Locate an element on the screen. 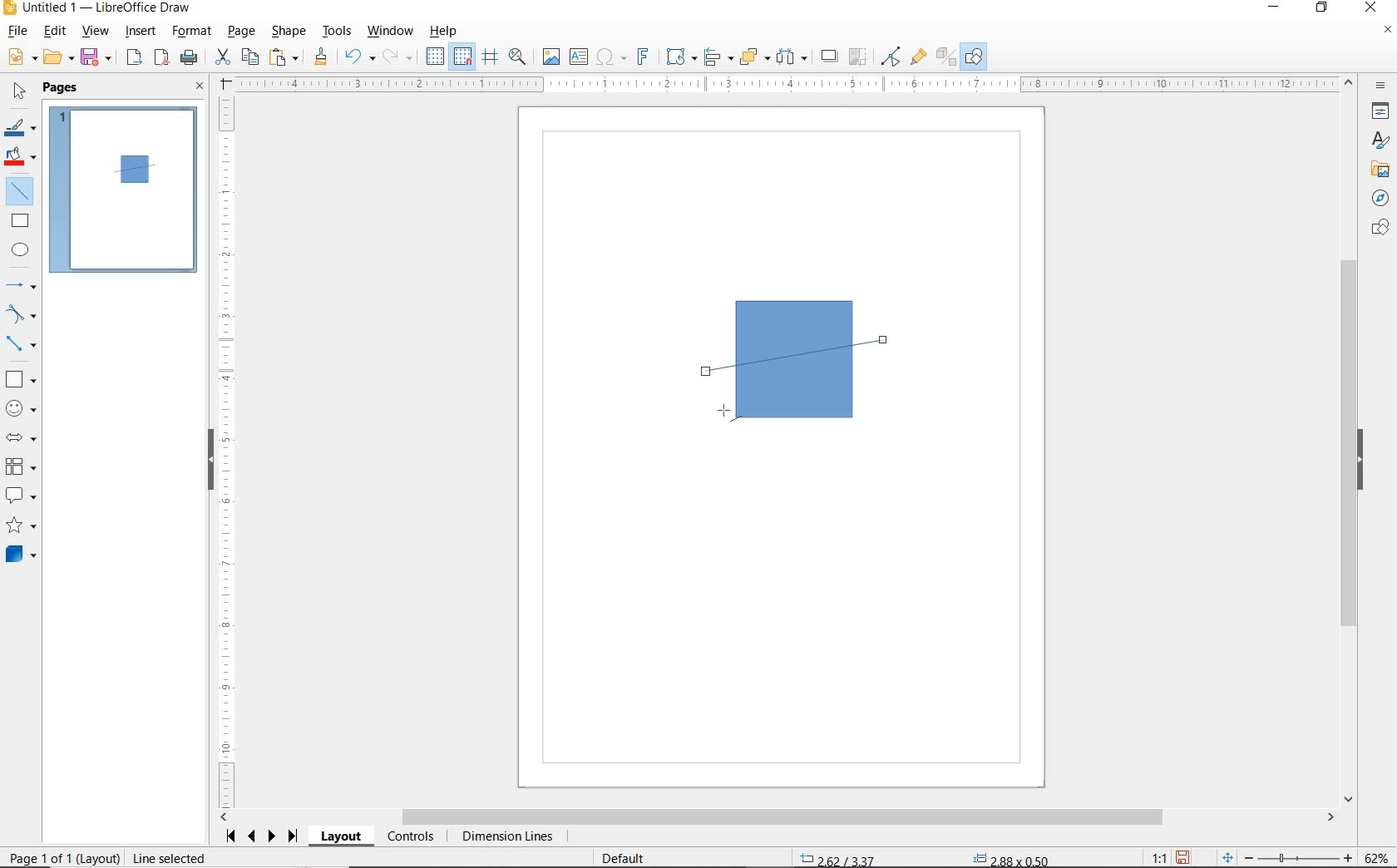  SYMBOL SHAPES is located at coordinates (22, 407).